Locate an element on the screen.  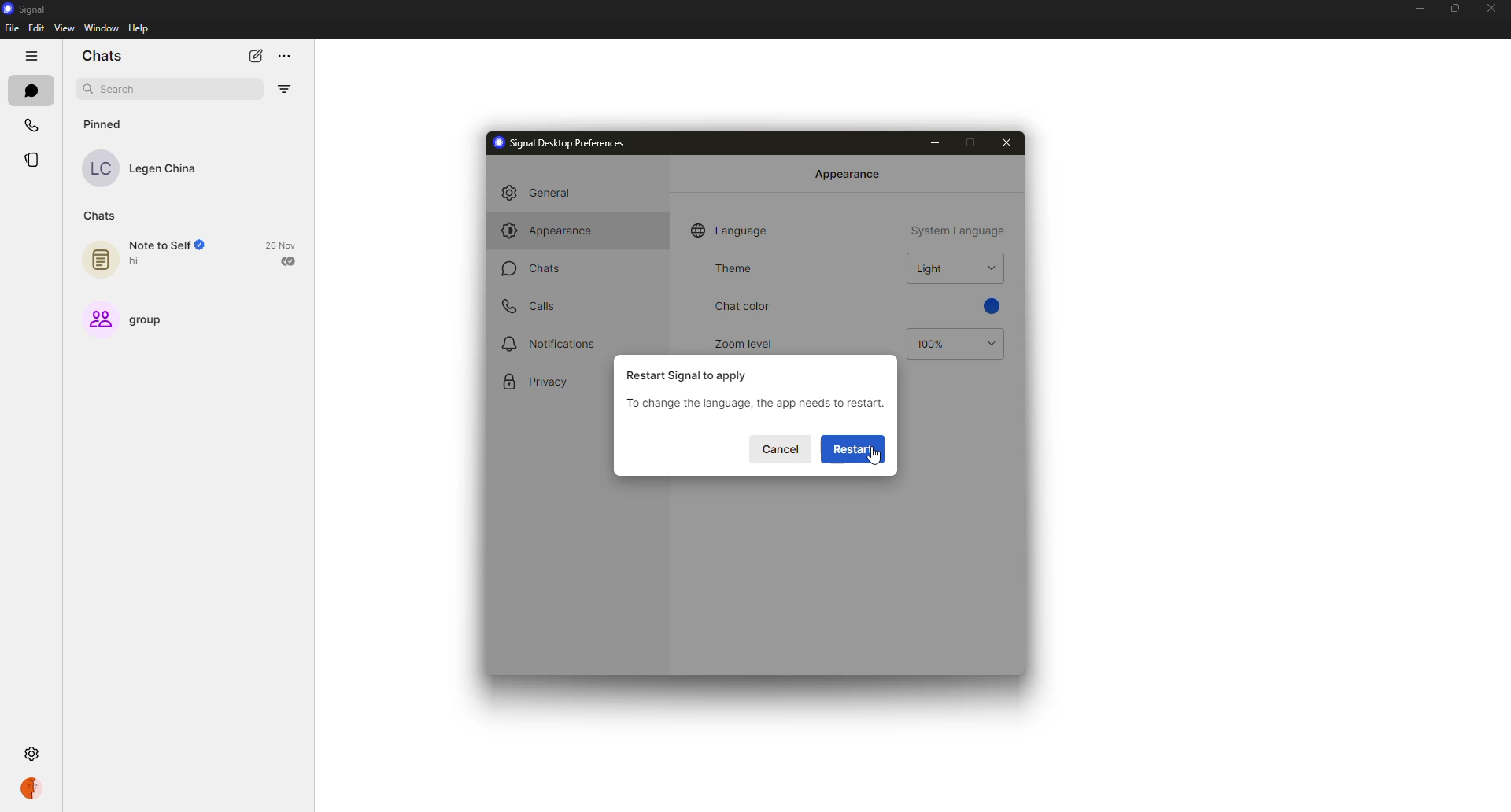
group is located at coordinates (125, 318).